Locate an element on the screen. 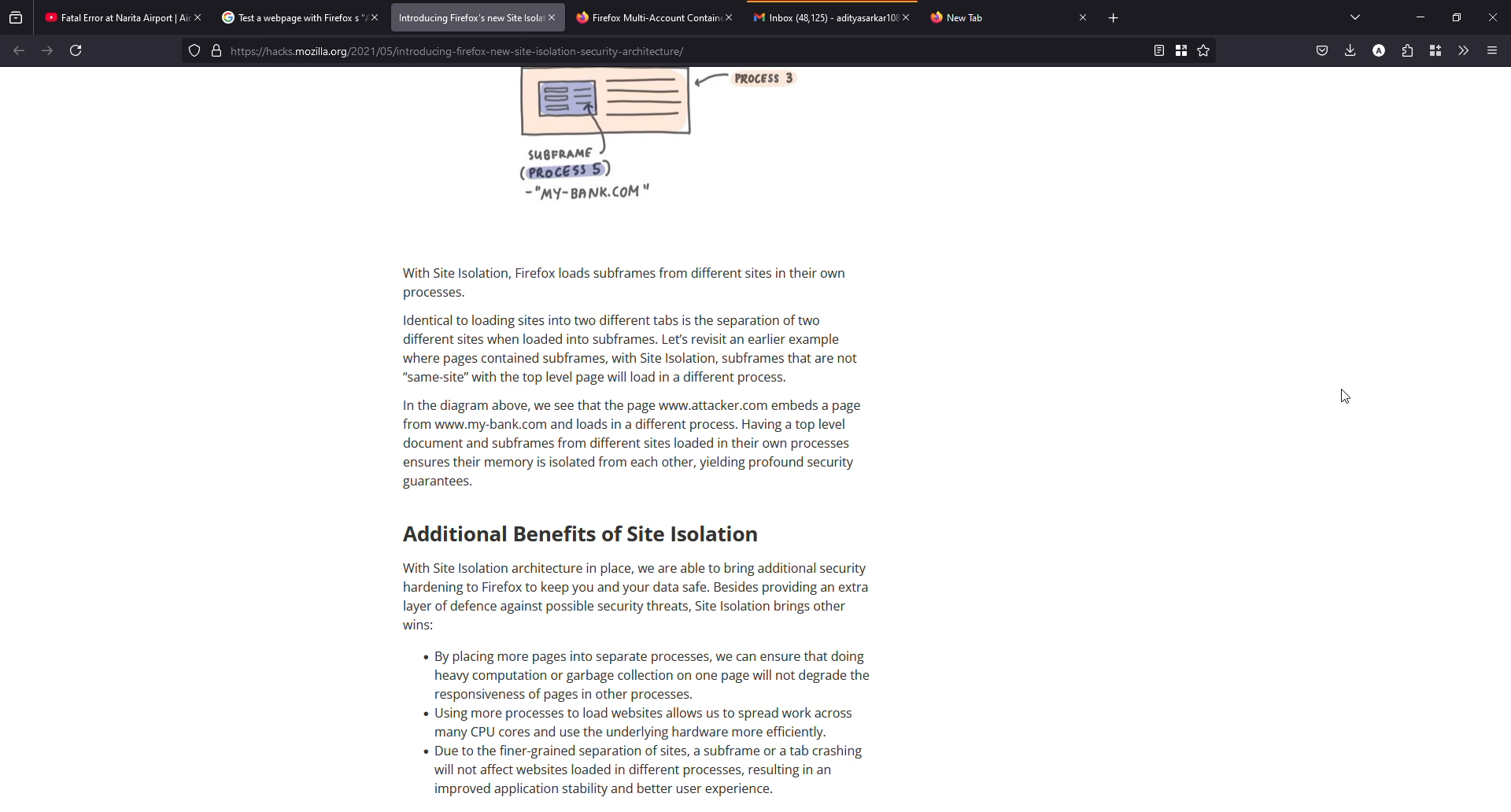 The image size is (1511, 812). minimize is located at coordinates (1420, 18).